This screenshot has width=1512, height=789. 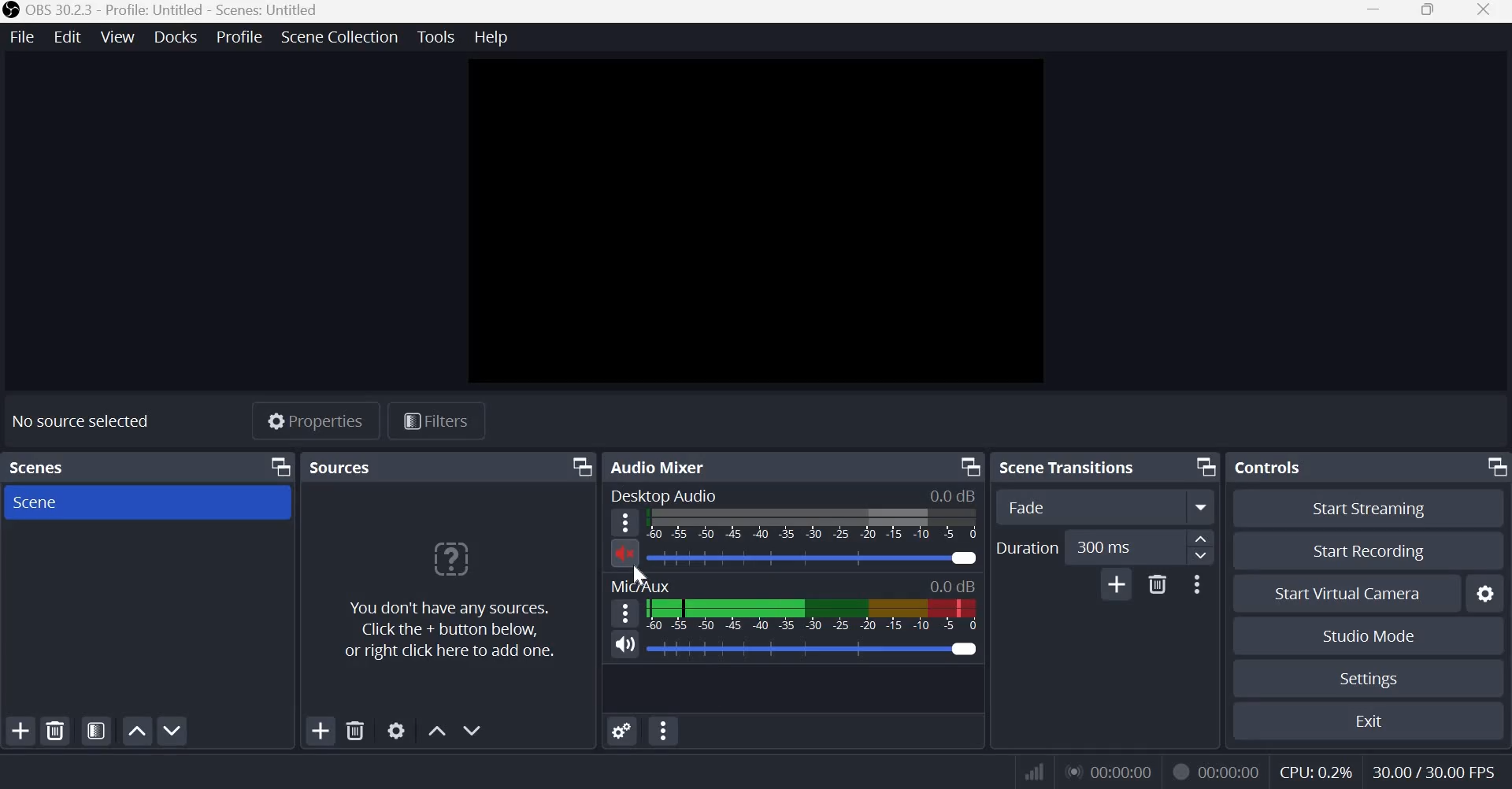 I want to click on Settings, so click(x=1371, y=680).